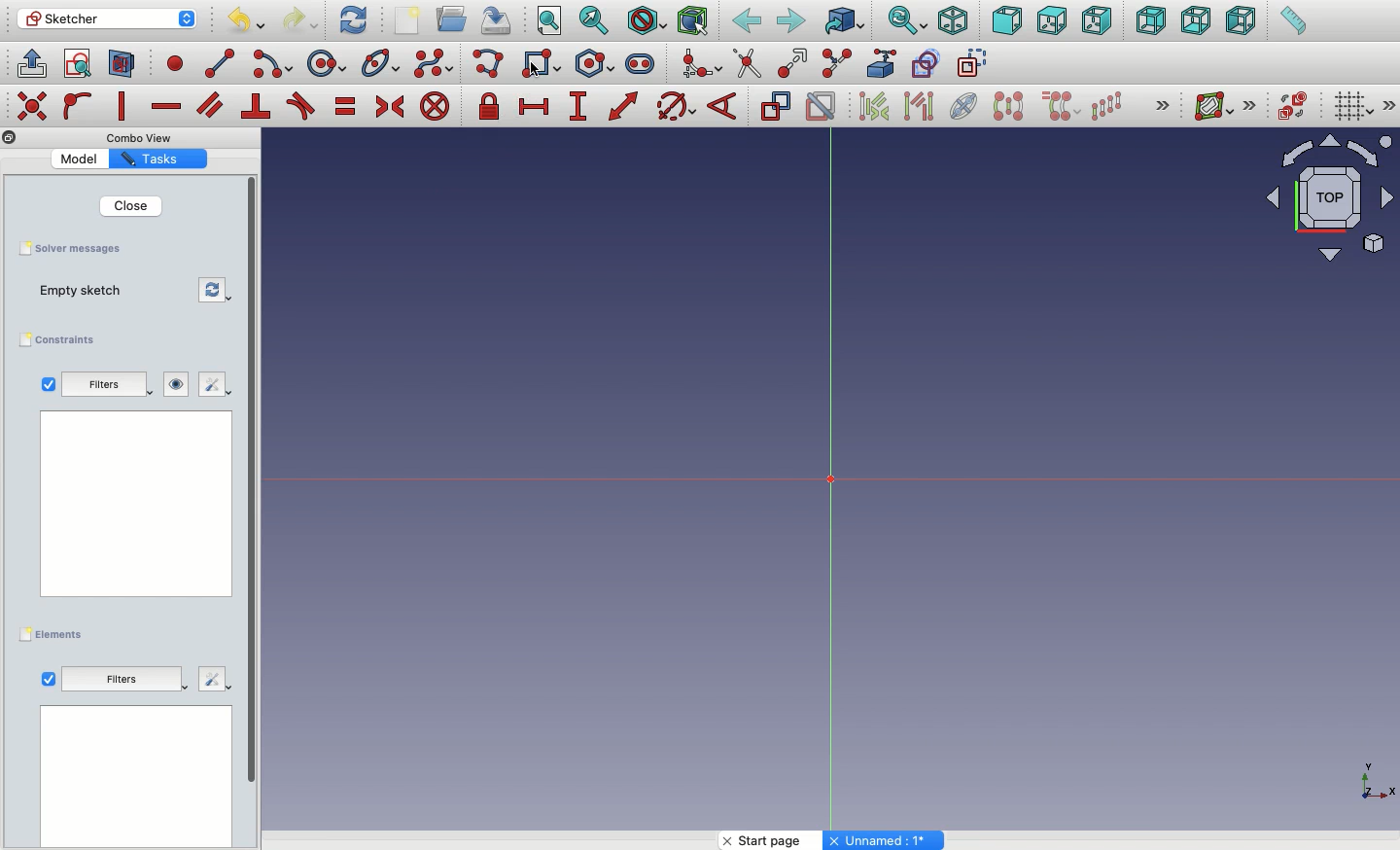  What do you see at coordinates (126, 65) in the screenshot?
I see `view sections` at bounding box center [126, 65].